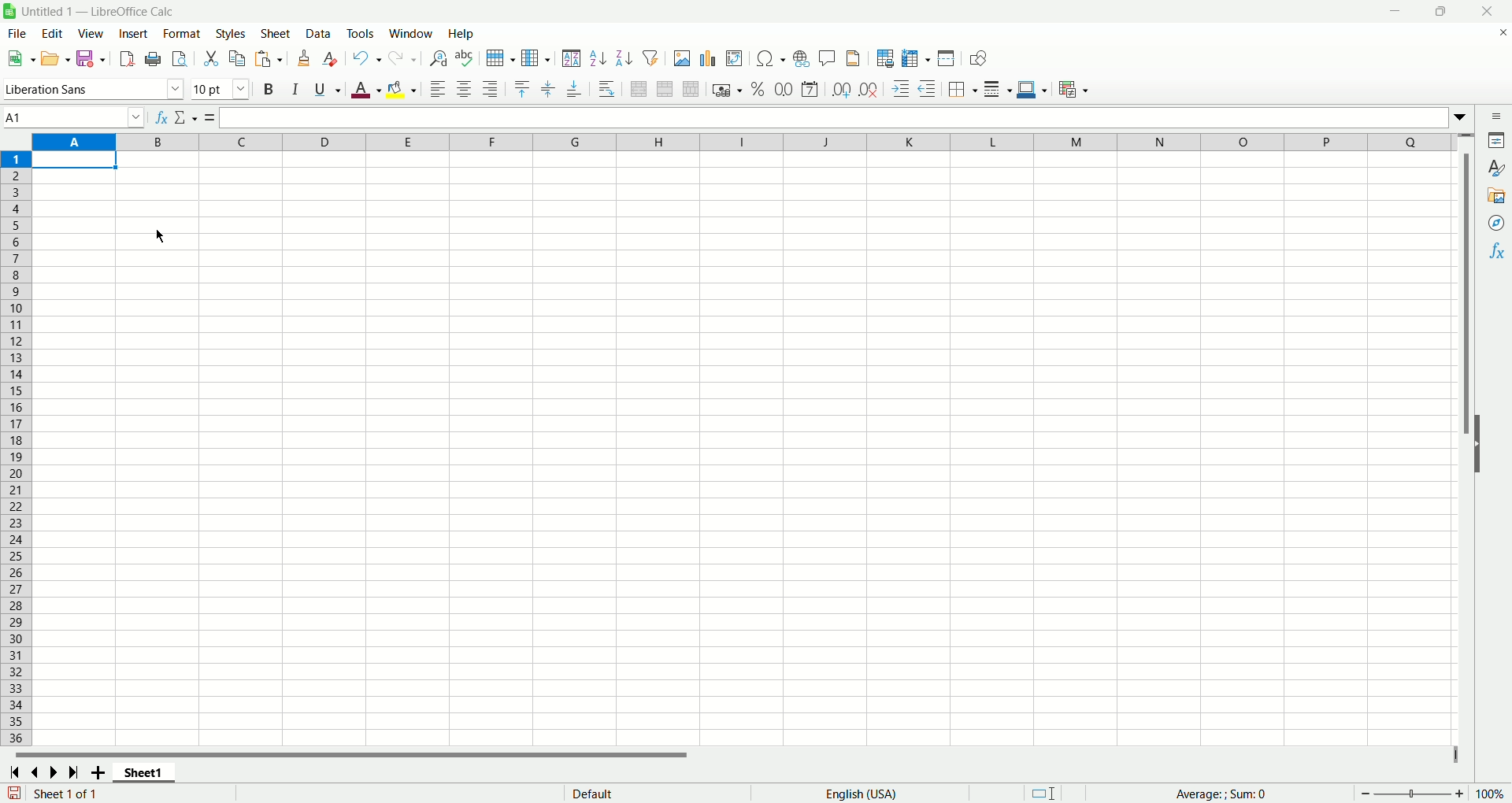 The height and width of the screenshot is (803, 1512). I want to click on expand formula bar, so click(1462, 117).